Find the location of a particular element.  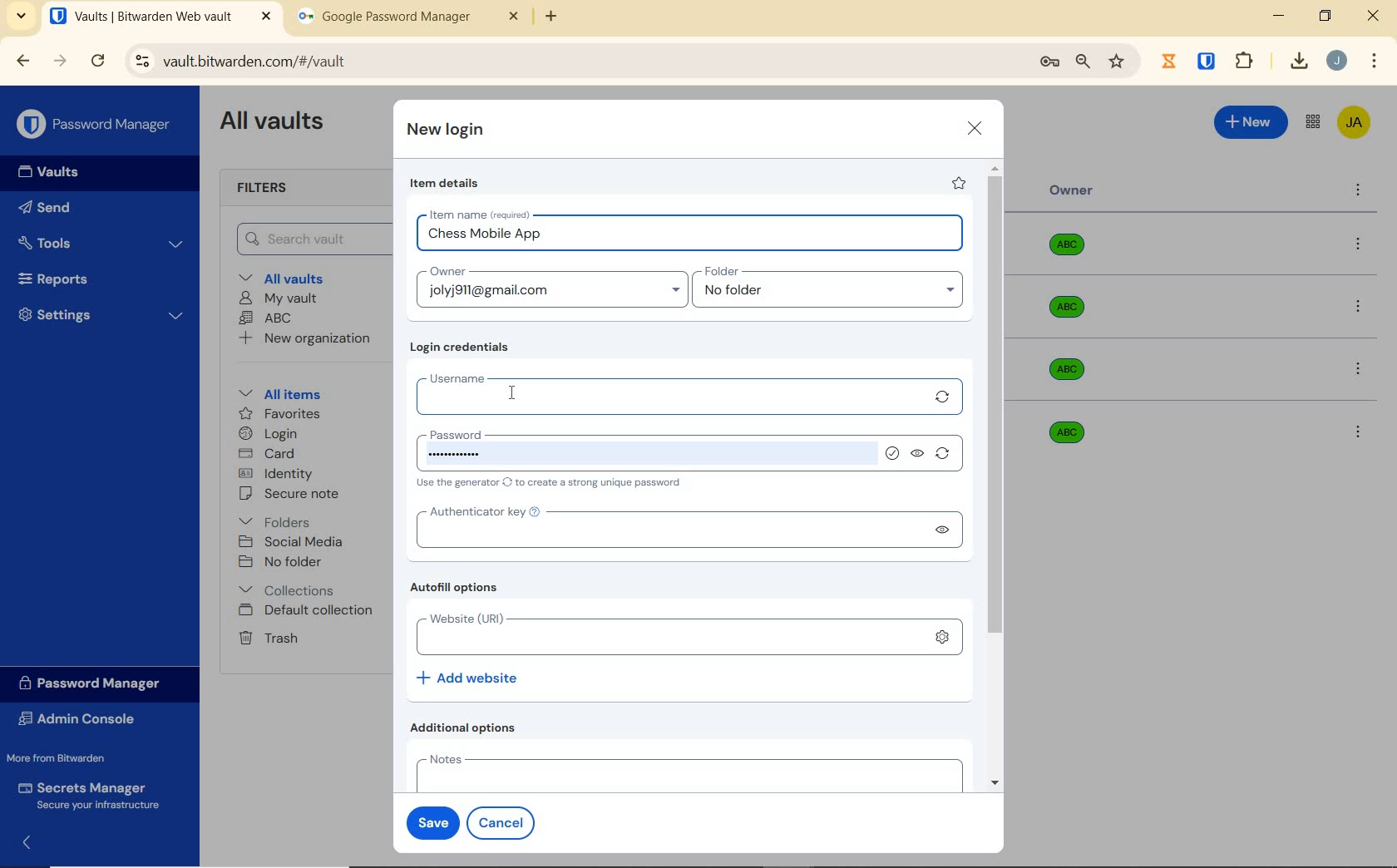

option is located at coordinates (1361, 308).